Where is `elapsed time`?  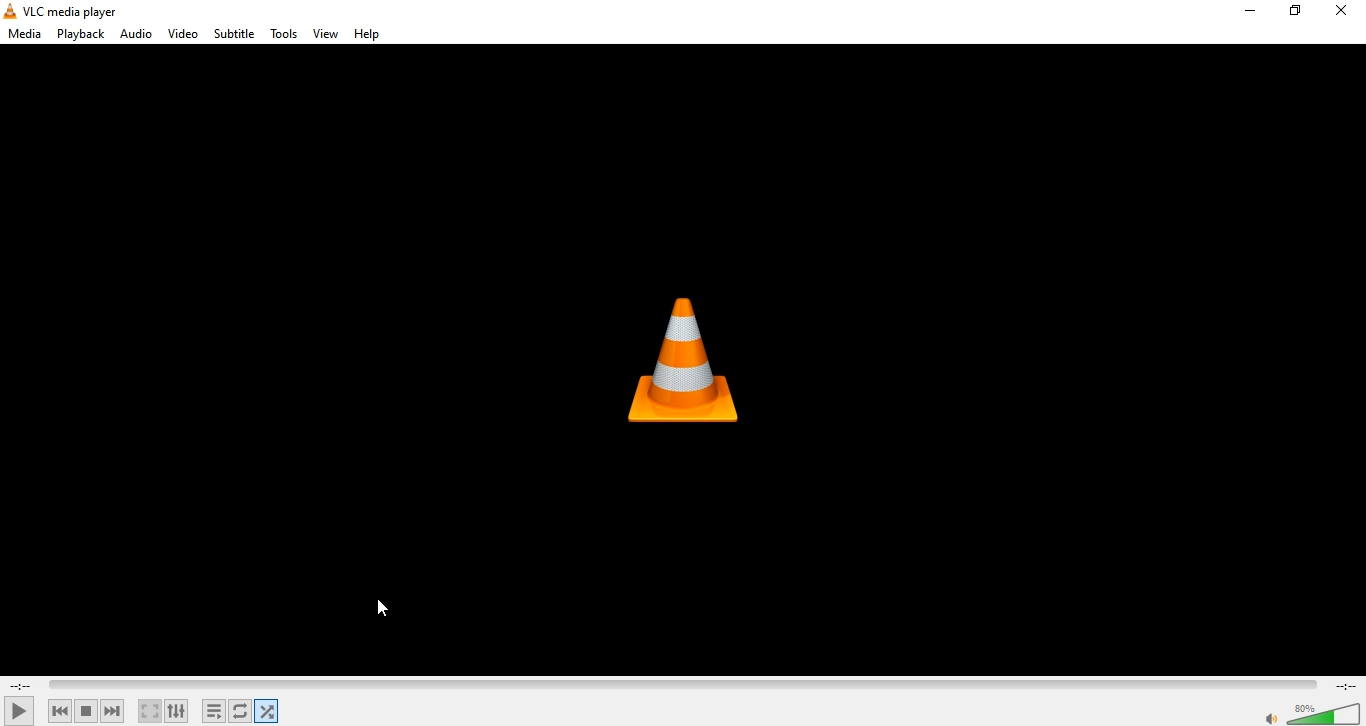 elapsed time is located at coordinates (20, 685).